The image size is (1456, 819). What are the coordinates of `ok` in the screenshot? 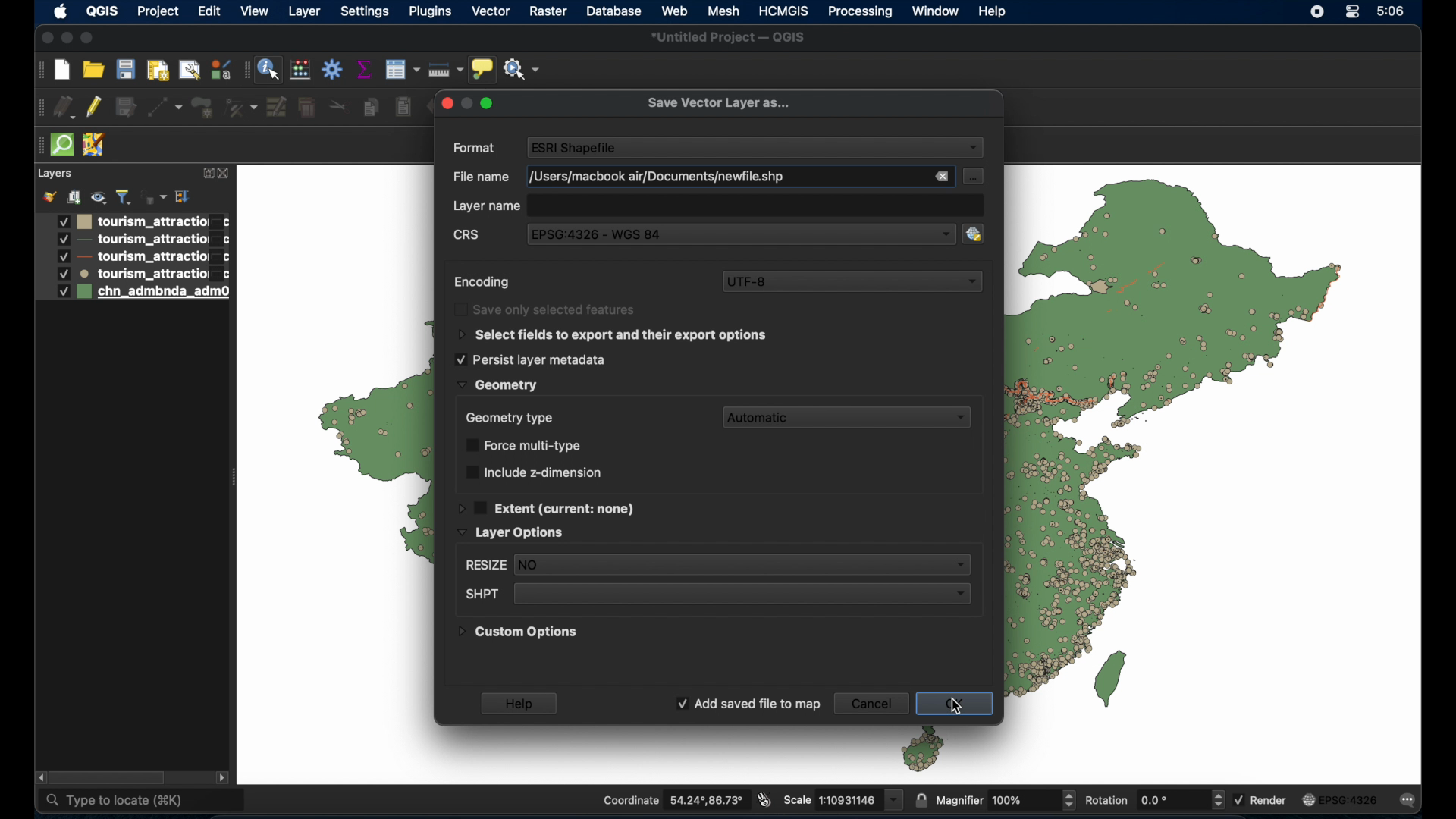 It's located at (959, 705).